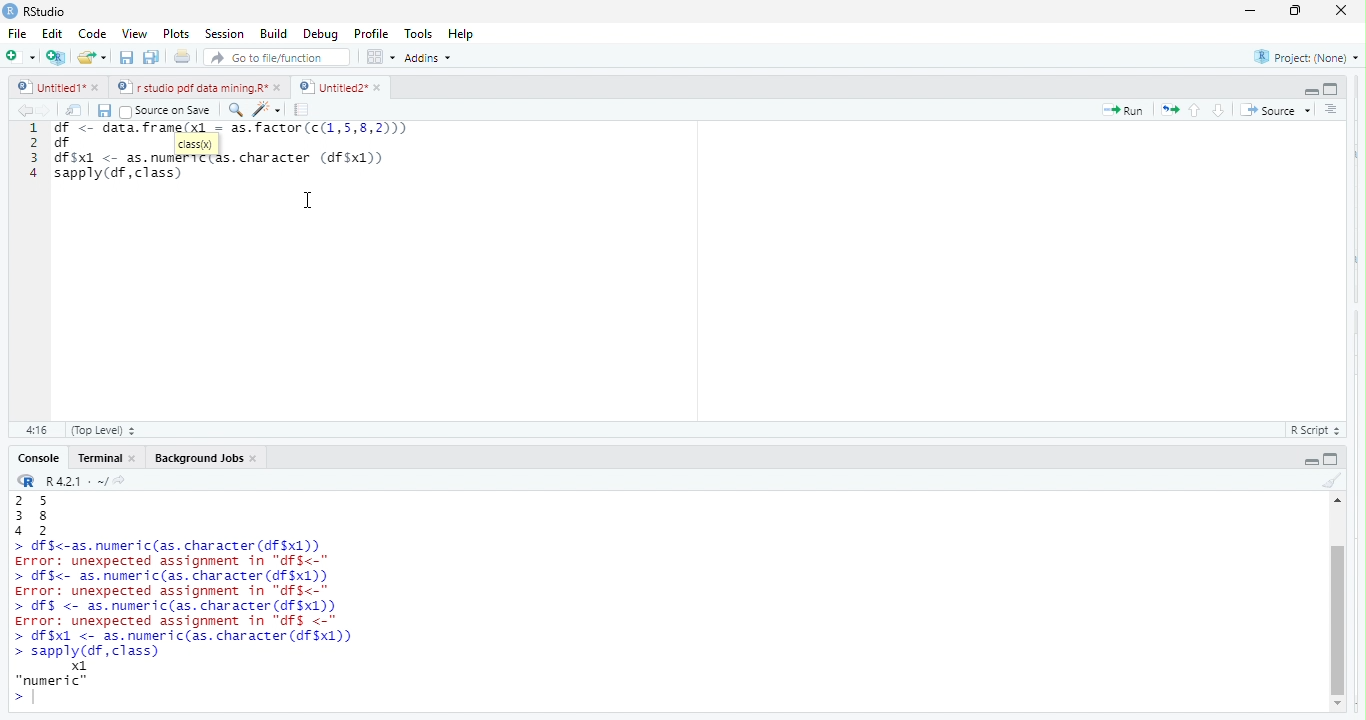 This screenshot has height=720, width=1366. What do you see at coordinates (135, 460) in the screenshot?
I see `close` at bounding box center [135, 460].